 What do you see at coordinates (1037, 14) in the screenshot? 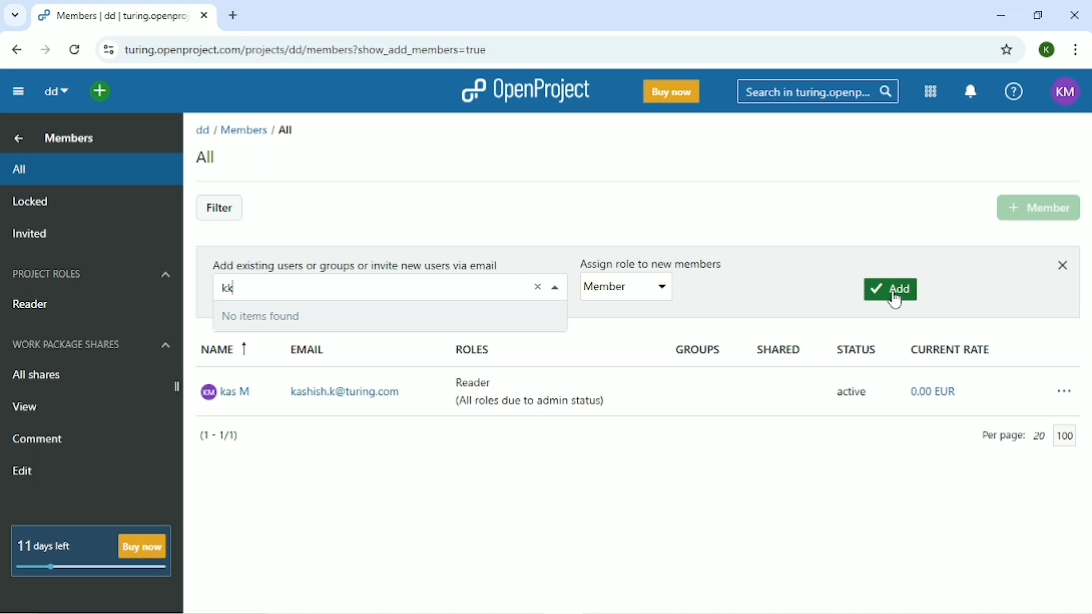
I see `Restore down` at bounding box center [1037, 14].